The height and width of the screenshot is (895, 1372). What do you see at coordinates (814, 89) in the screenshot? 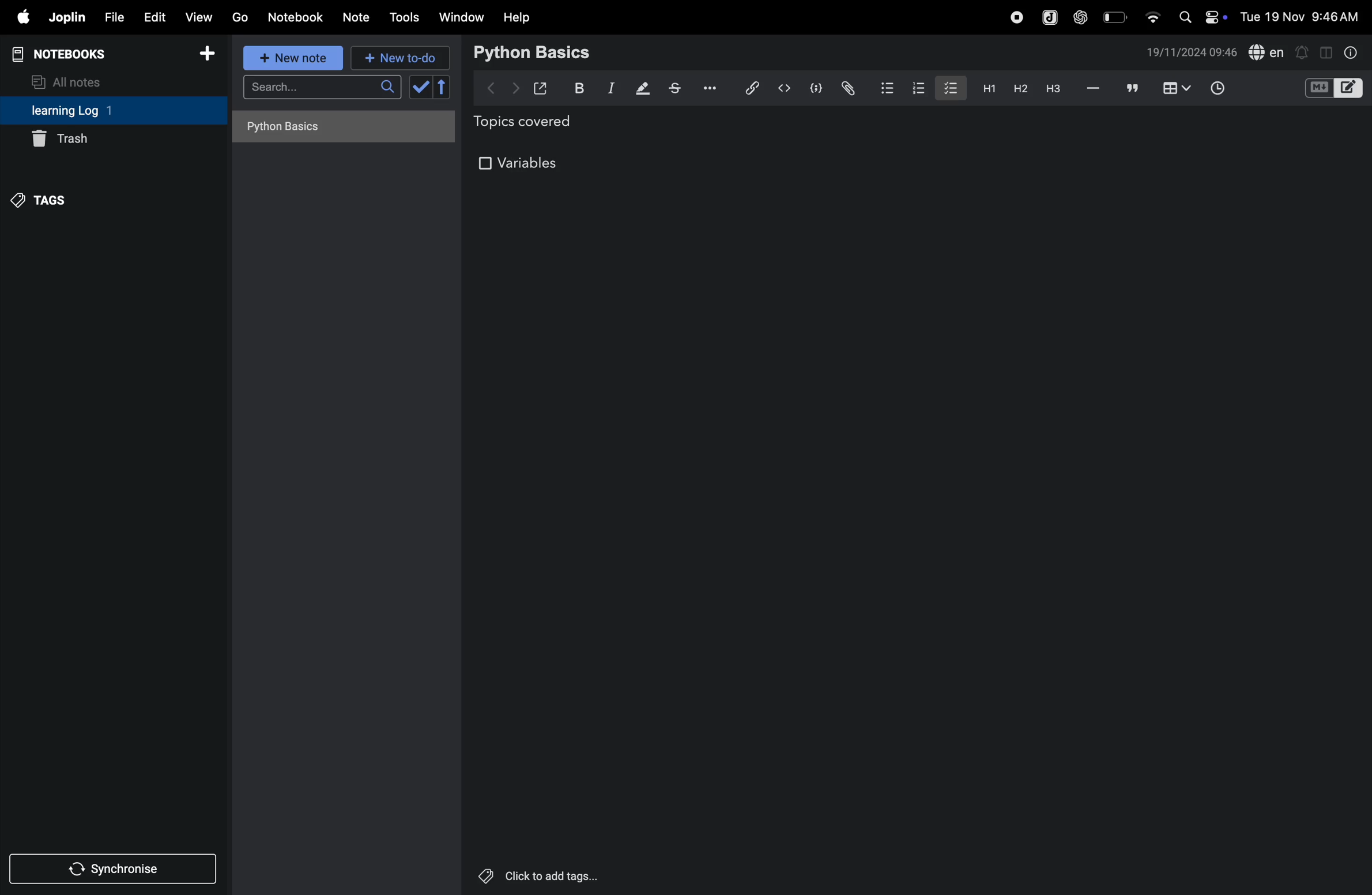
I see `code block` at bounding box center [814, 89].